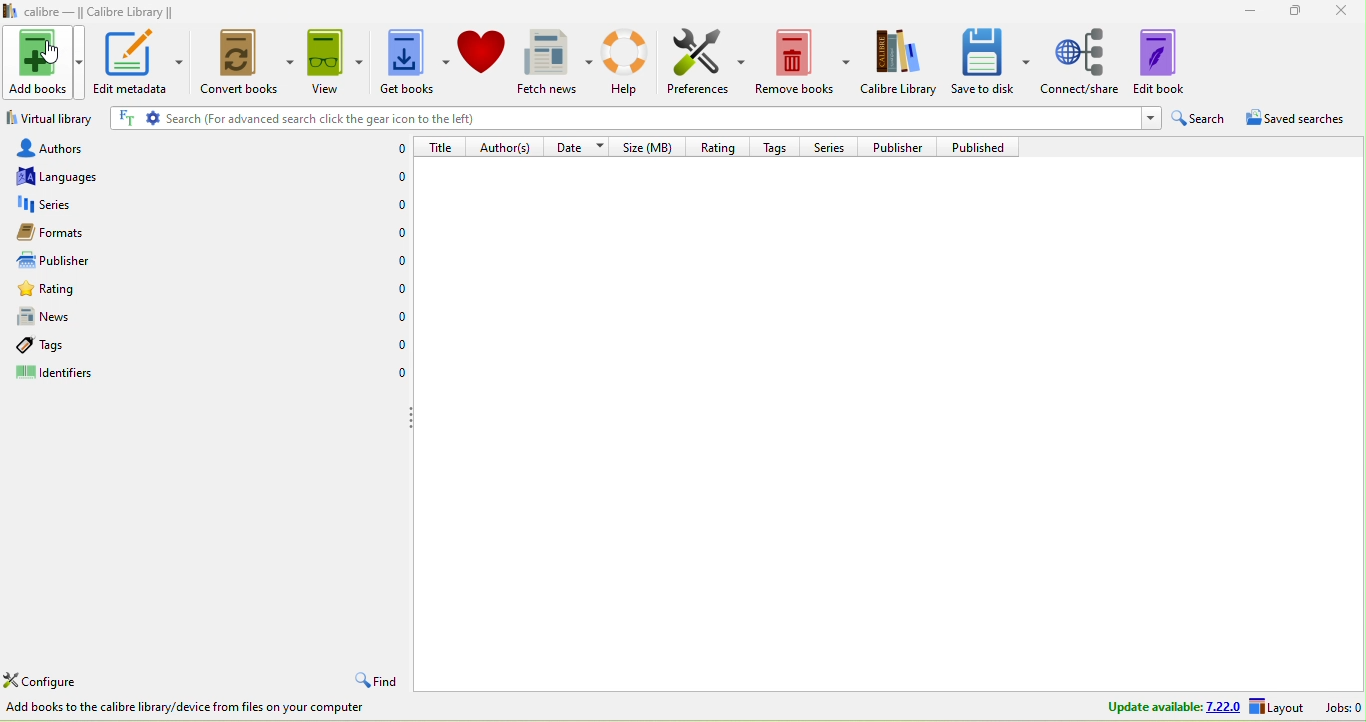  I want to click on maximize, so click(1296, 12).